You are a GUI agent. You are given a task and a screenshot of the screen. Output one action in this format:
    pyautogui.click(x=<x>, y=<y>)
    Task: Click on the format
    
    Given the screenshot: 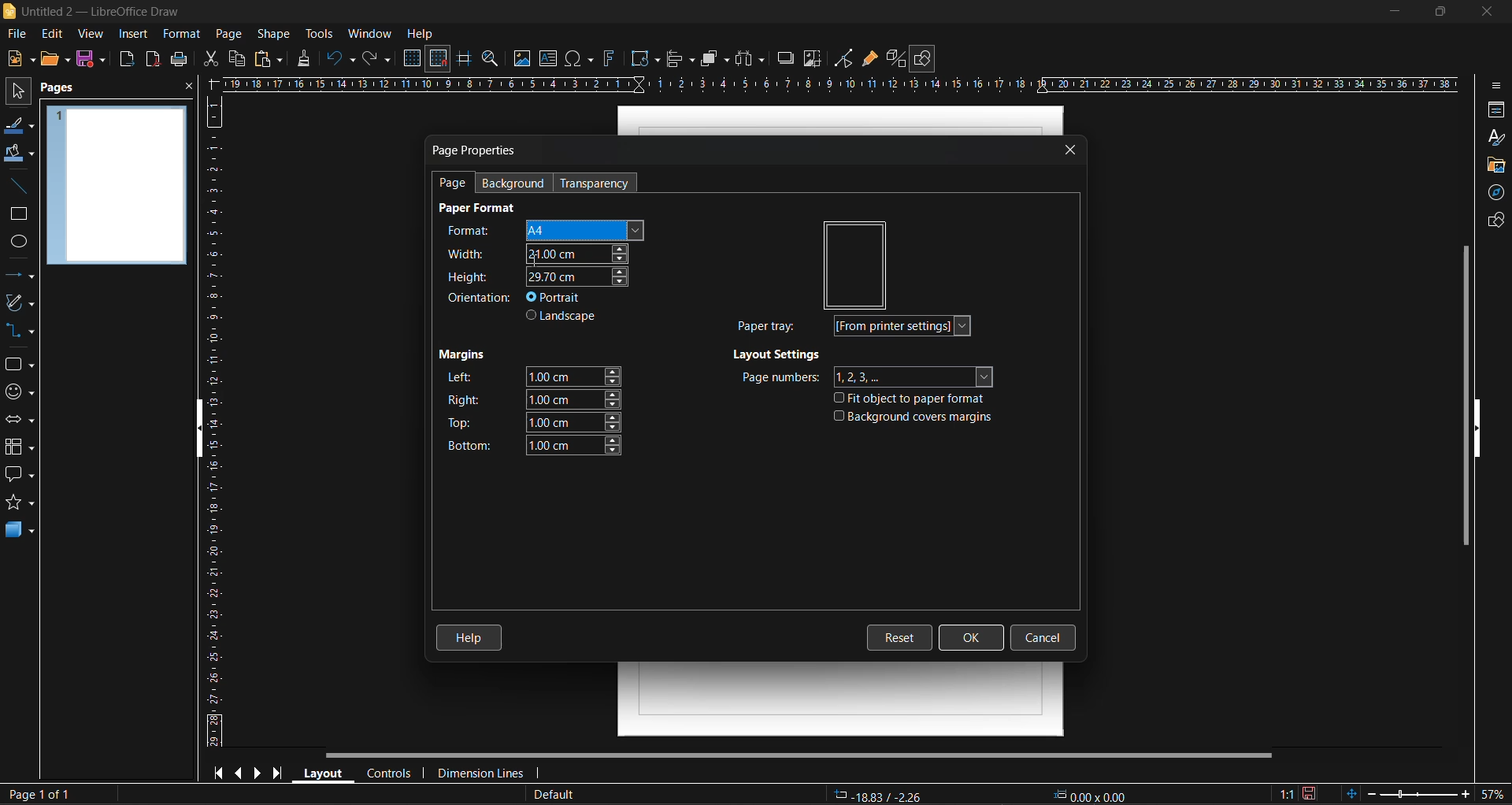 What is the action you would take?
    pyautogui.click(x=537, y=228)
    